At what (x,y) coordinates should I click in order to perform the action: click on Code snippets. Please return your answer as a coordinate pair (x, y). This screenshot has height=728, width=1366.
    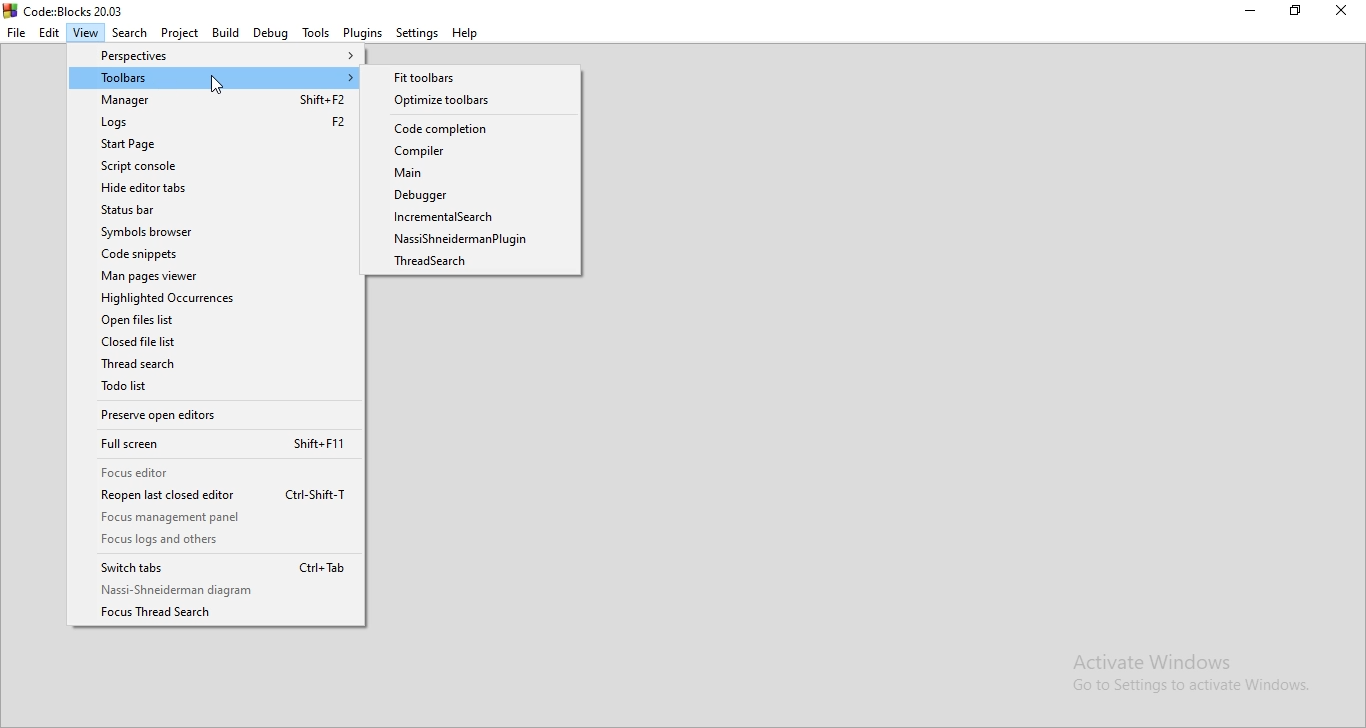
    Looking at the image, I should click on (214, 255).